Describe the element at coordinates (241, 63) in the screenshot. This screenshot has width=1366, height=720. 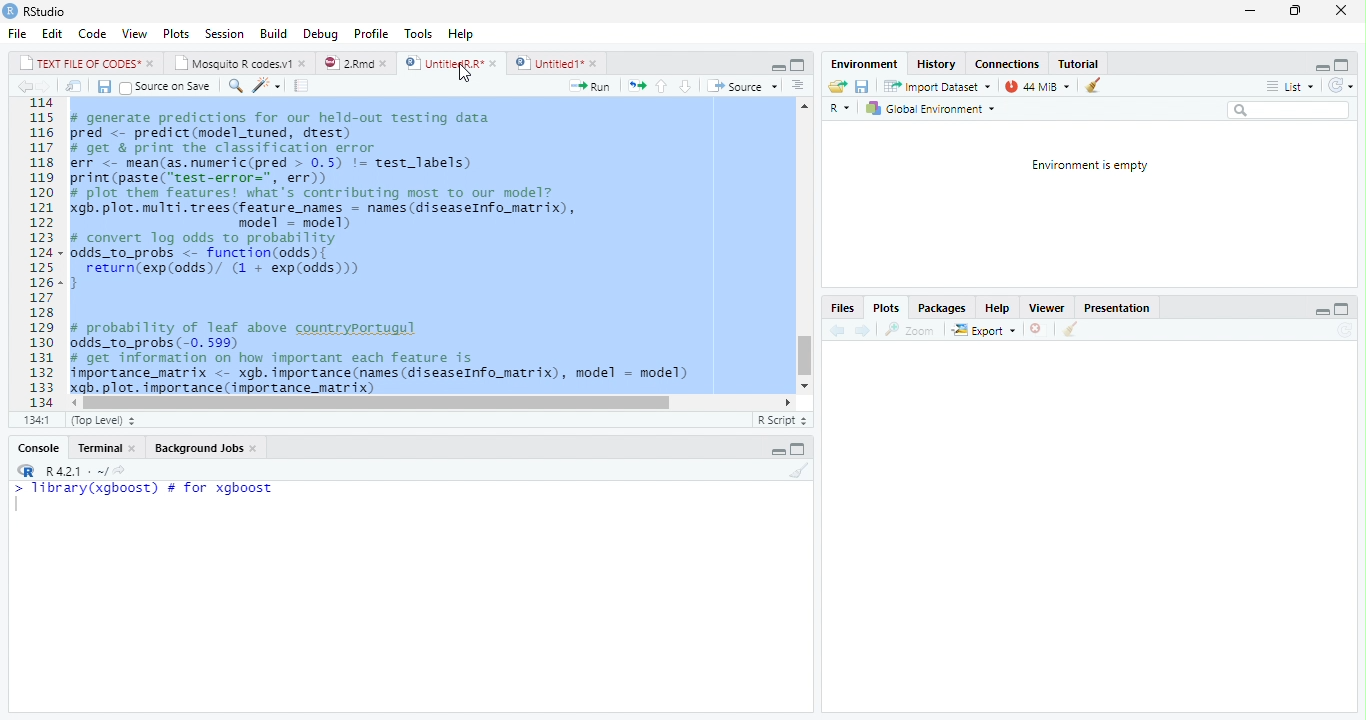
I see `Mosquito R codes1` at that location.